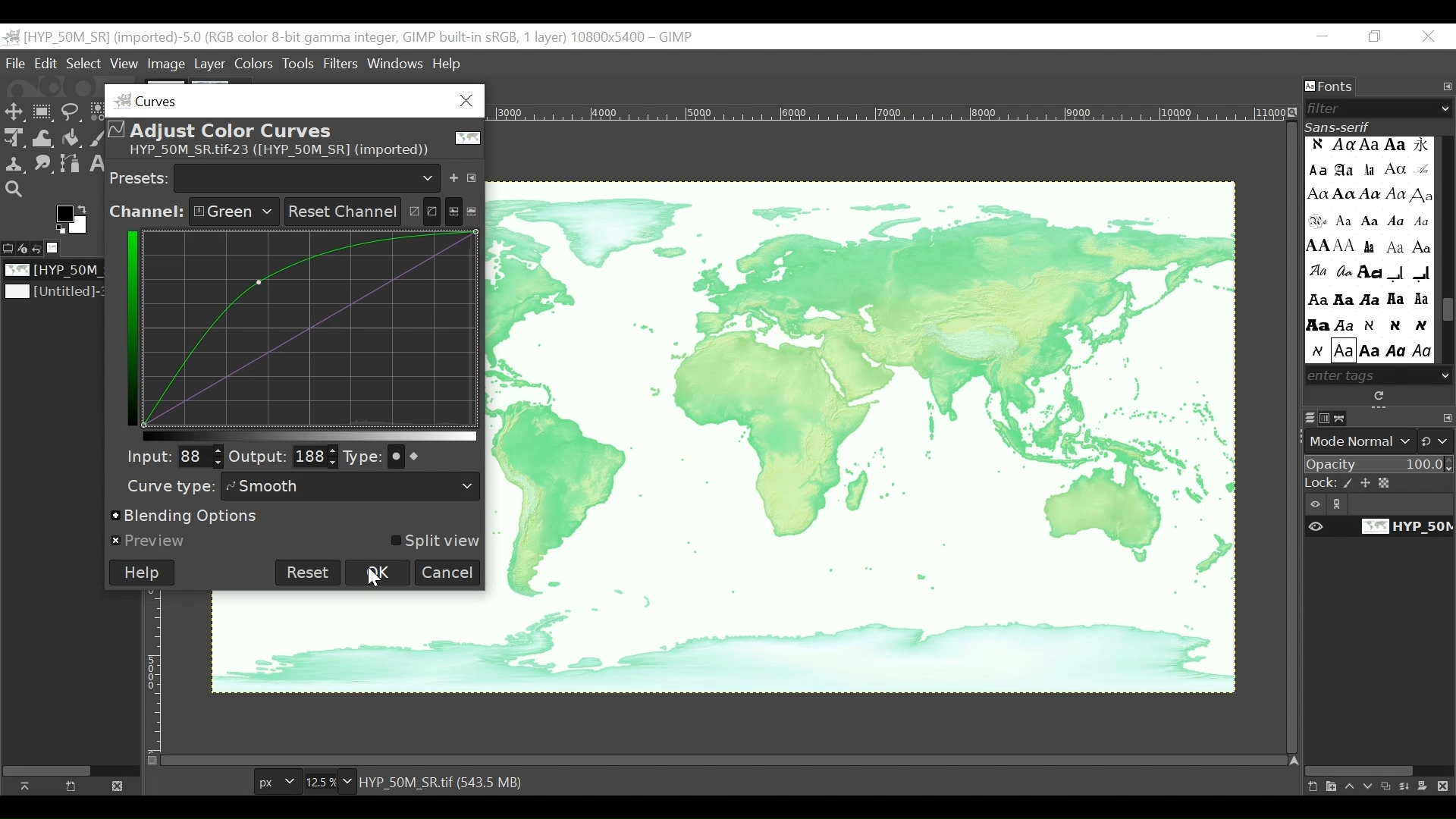 This screenshot has height=819, width=1456. Describe the element at coordinates (258, 459) in the screenshot. I see `Output` at that location.